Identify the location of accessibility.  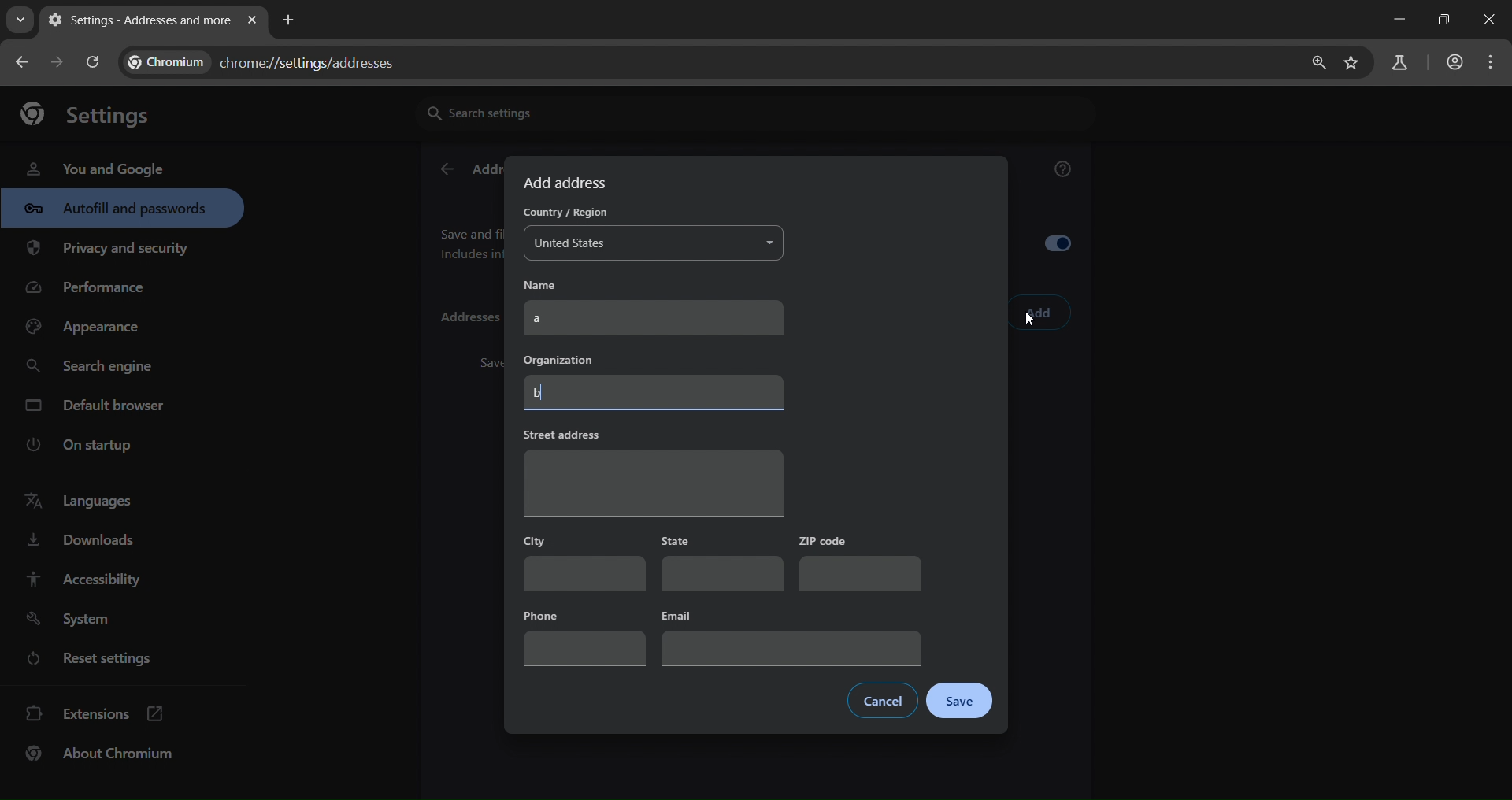
(82, 579).